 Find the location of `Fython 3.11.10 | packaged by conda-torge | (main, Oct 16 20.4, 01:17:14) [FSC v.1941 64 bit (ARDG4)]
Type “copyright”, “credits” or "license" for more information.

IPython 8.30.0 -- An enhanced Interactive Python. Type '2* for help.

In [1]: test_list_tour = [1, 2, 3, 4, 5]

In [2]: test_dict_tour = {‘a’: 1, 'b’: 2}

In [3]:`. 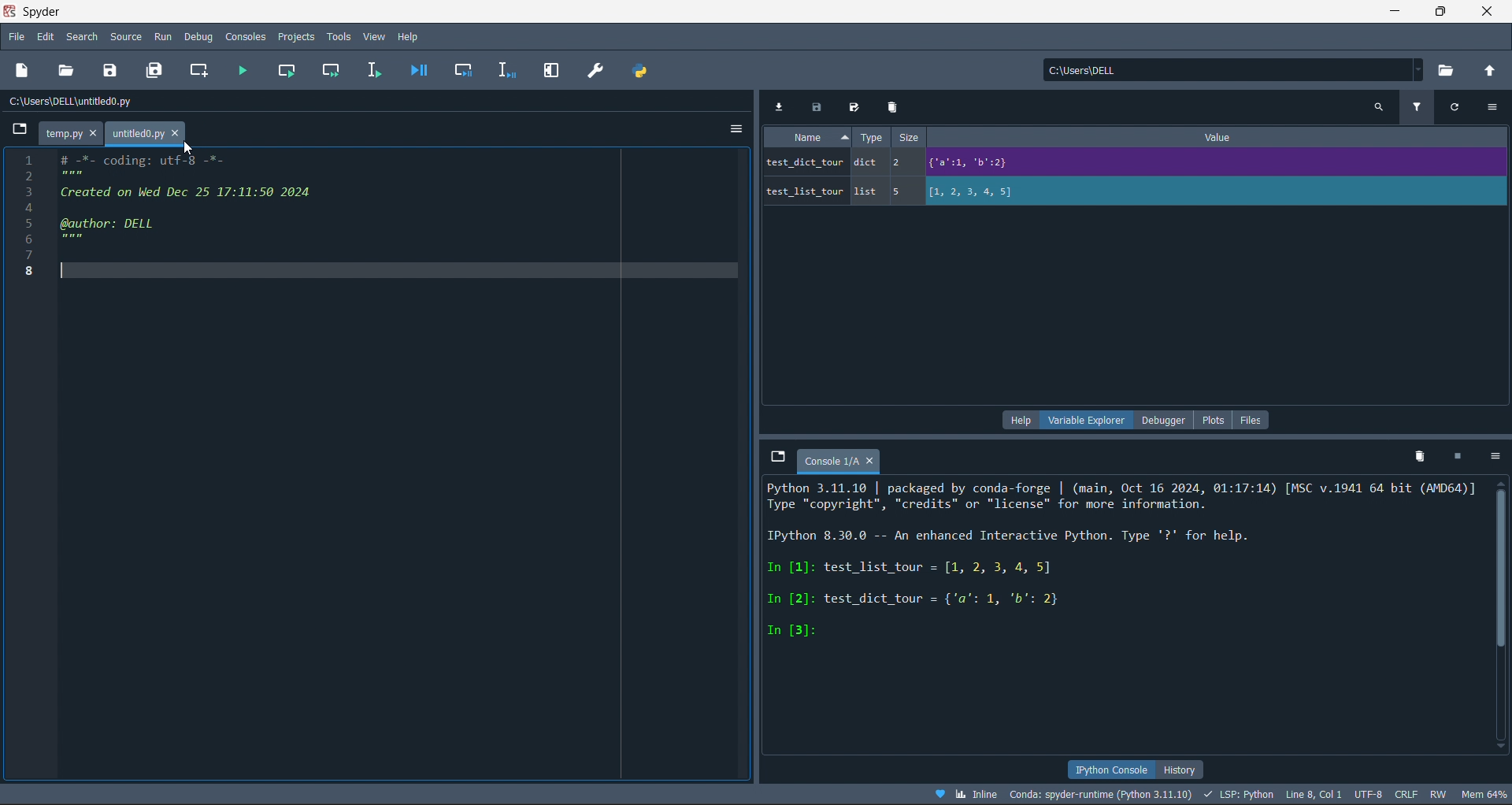

Fython 3.11.10 | packaged by conda-torge | (main, Oct 16 20.4, 01:17:14) [FSC v.1941 64 bit (ARDG4)]
Type “copyright”, “credits” or "license" for more information.

IPython 8.30.0 -- An enhanced Interactive Python. Type '2* for help.

In [1]: test_list_tour = [1, 2, 3, 4, 5]

In [2]: test_dict_tour = {‘a’: 1, 'b’: 2}

In [3]: is located at coordinates (1123, 564).